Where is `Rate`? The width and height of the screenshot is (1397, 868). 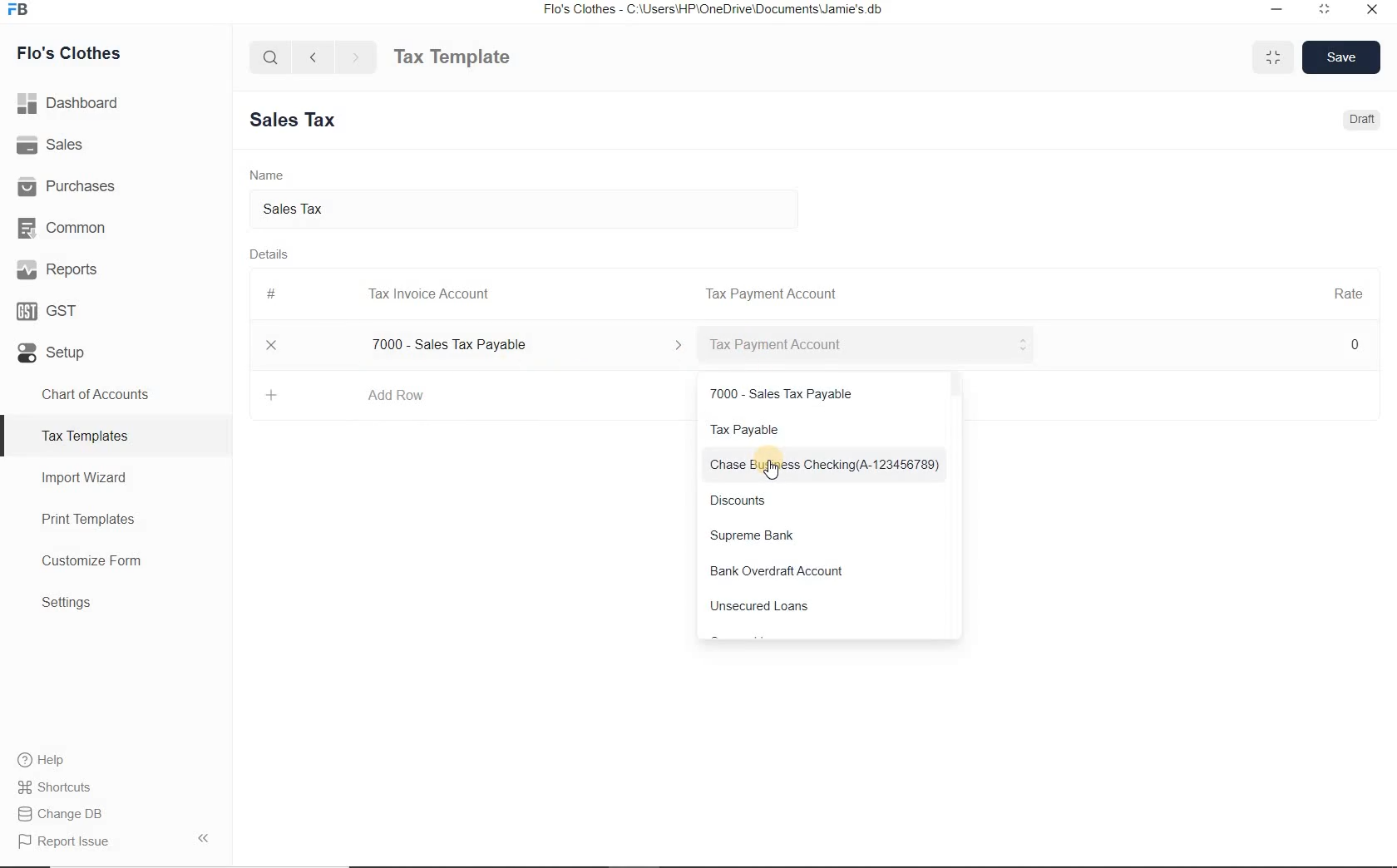 Rate is located at coordinates (1348, 292).